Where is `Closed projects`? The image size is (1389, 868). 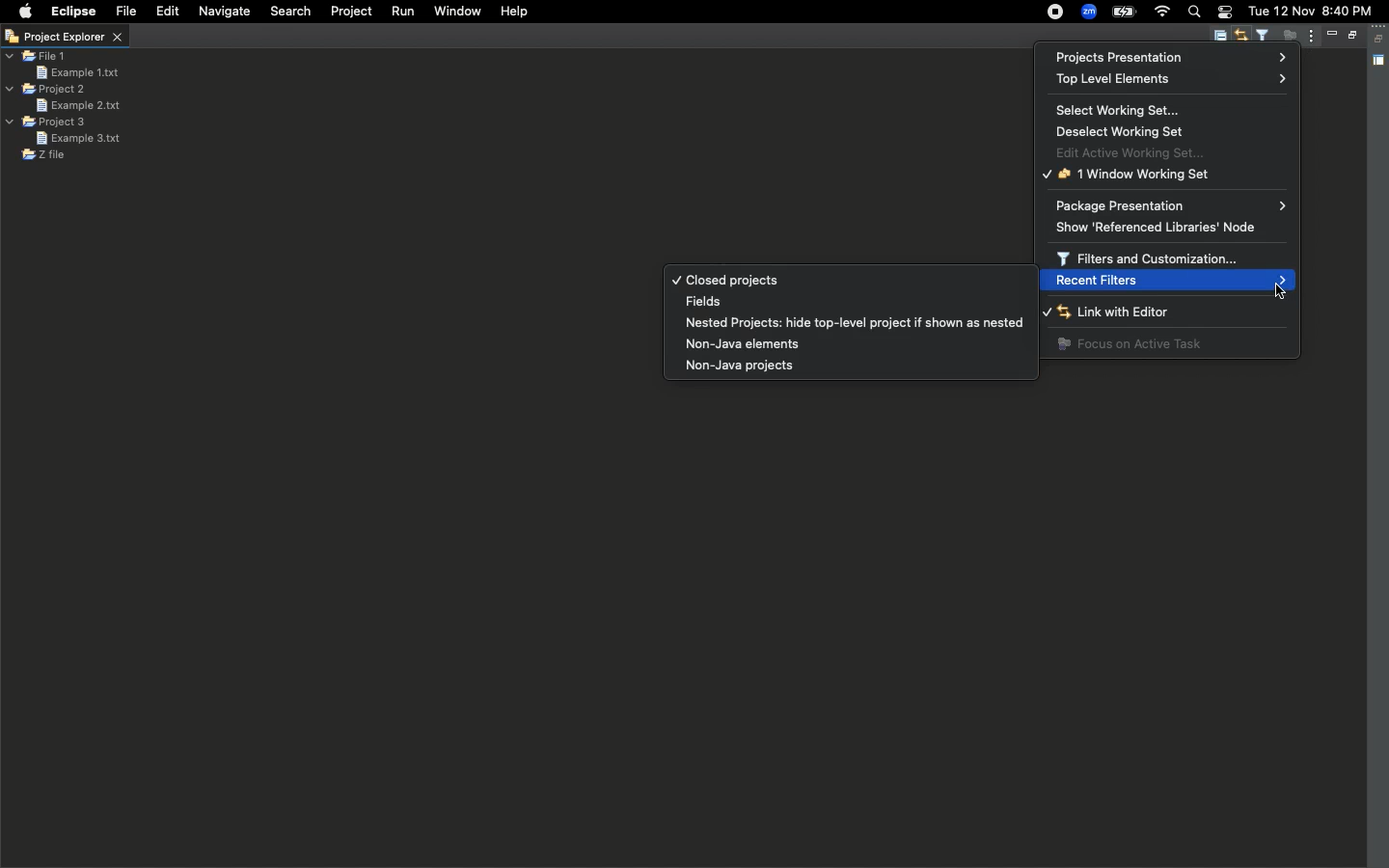 Closed projects is located at coordinates (783, 279).